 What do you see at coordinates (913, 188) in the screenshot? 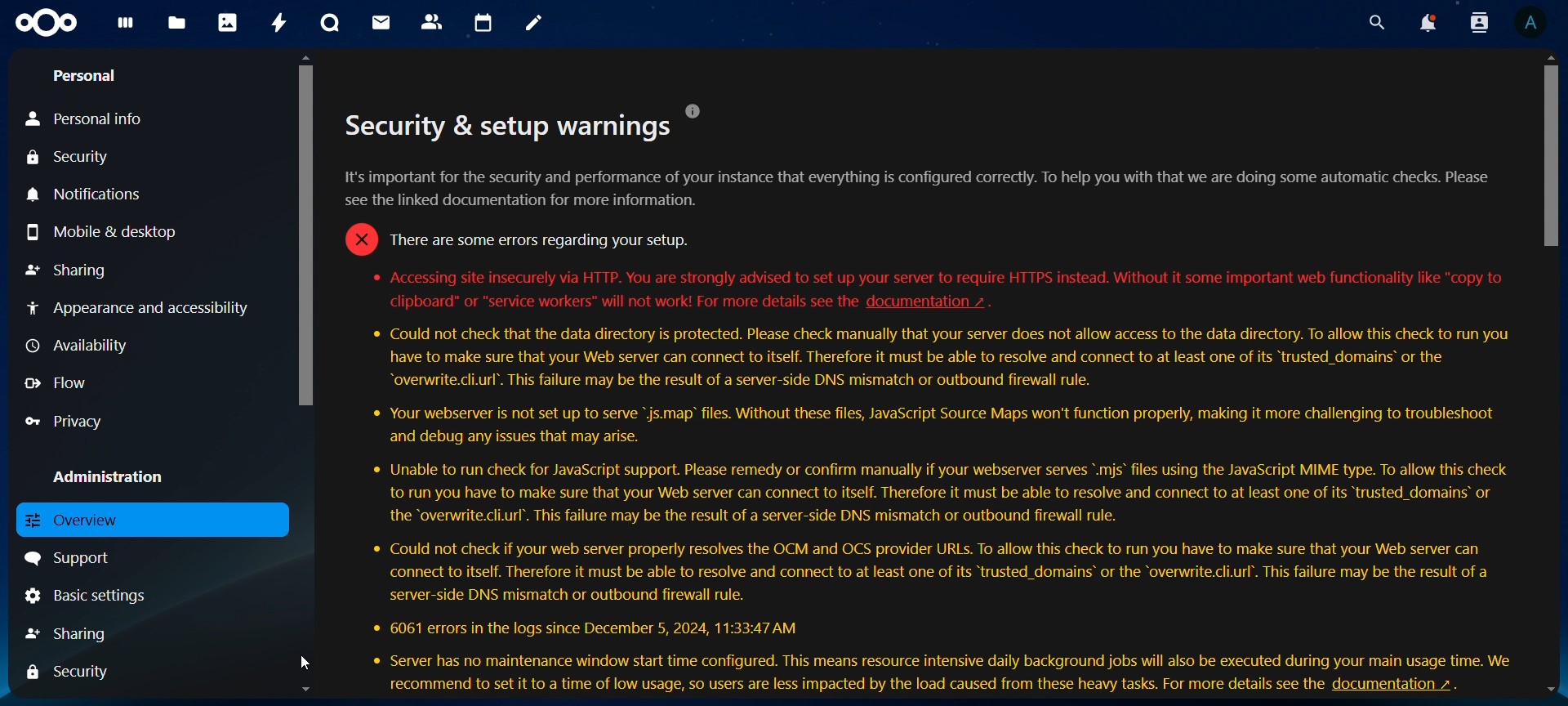
I see `It's important for the security and performance of your instance that everything is configured correctly. To help you with that we are doing some automatic checks. Please
see the linked documentation for more information.` at bounding box center [913, 188].